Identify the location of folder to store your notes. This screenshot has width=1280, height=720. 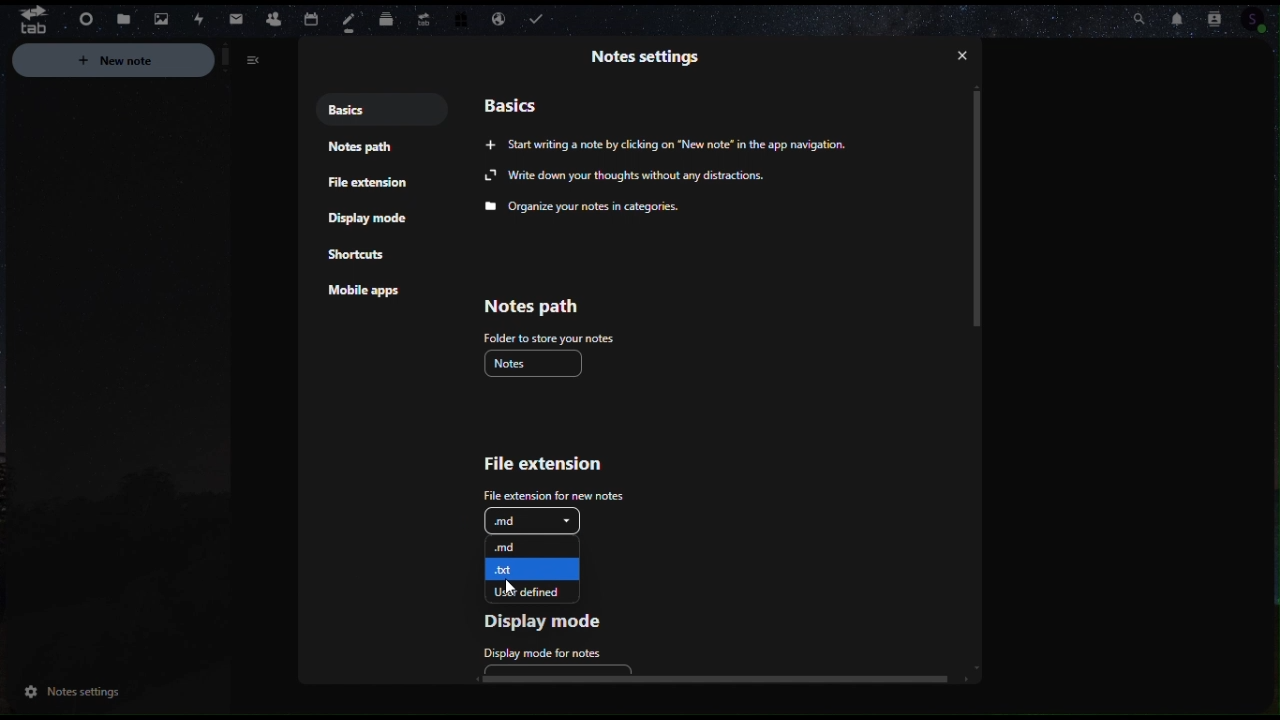
(548, 337).